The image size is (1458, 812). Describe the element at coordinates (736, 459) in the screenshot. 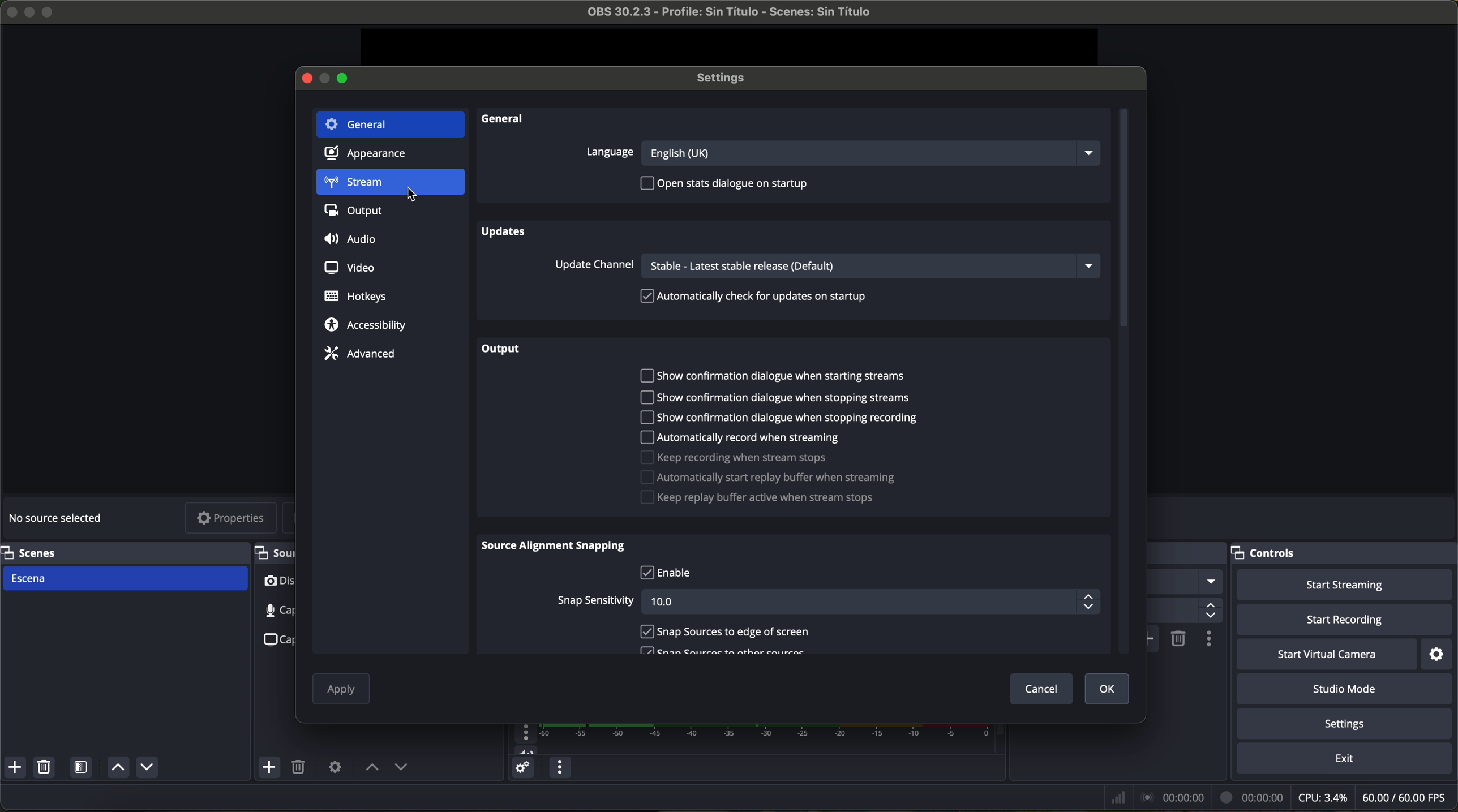

I see `keep recording when stream stops` at that location.